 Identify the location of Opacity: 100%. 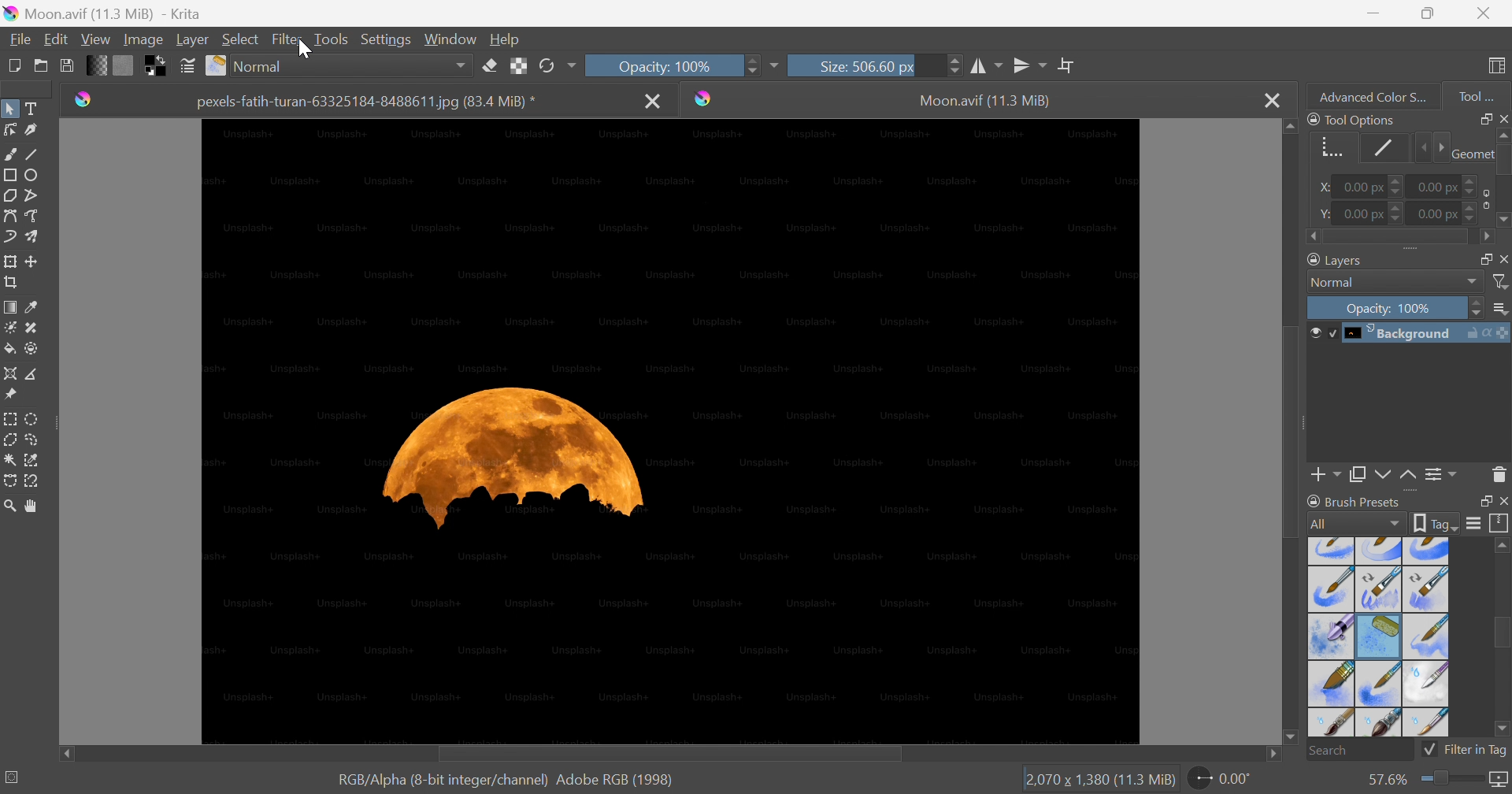
(1393, 306).